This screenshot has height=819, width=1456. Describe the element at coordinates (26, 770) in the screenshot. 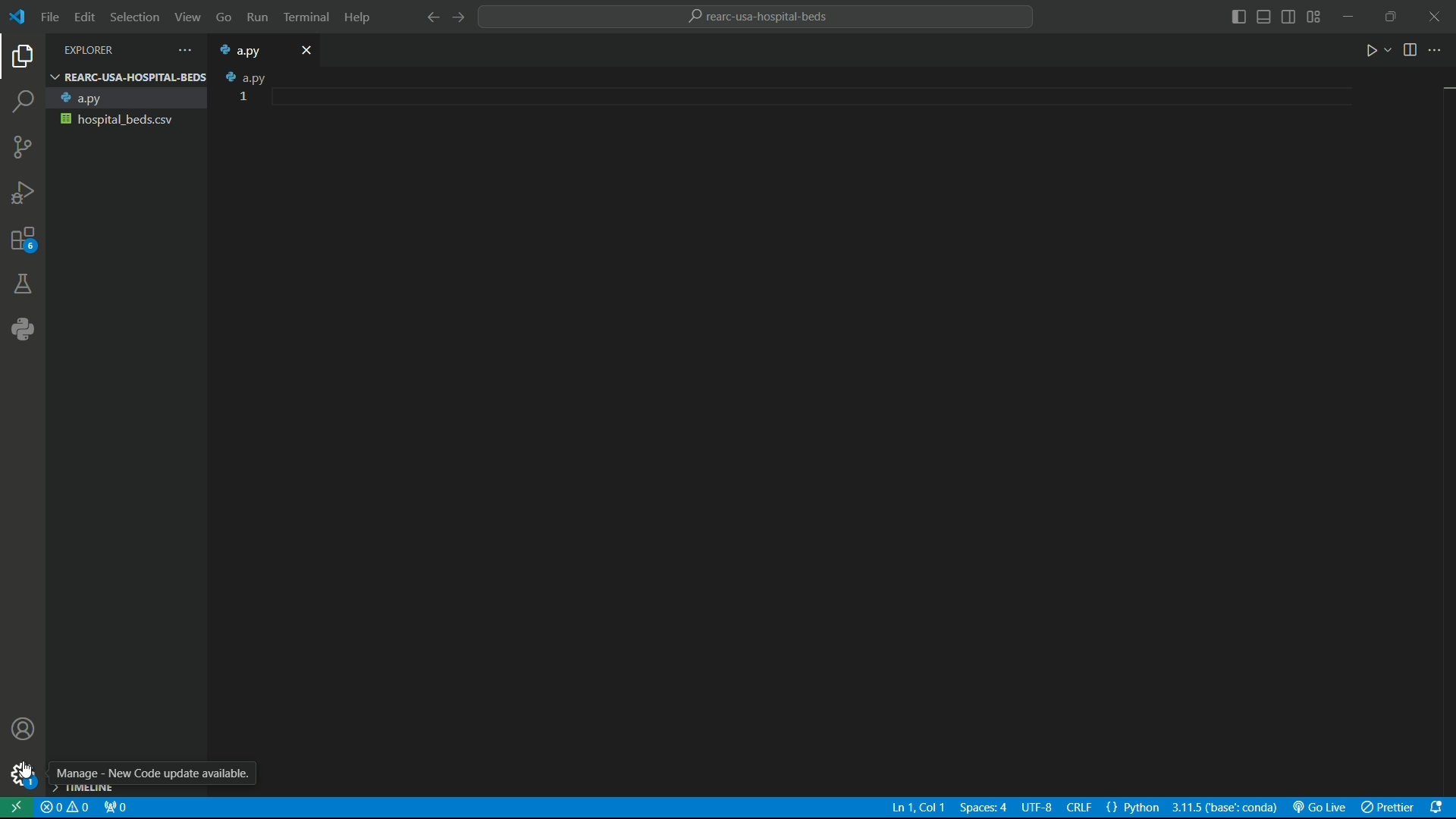

I see `cursor` at that location.